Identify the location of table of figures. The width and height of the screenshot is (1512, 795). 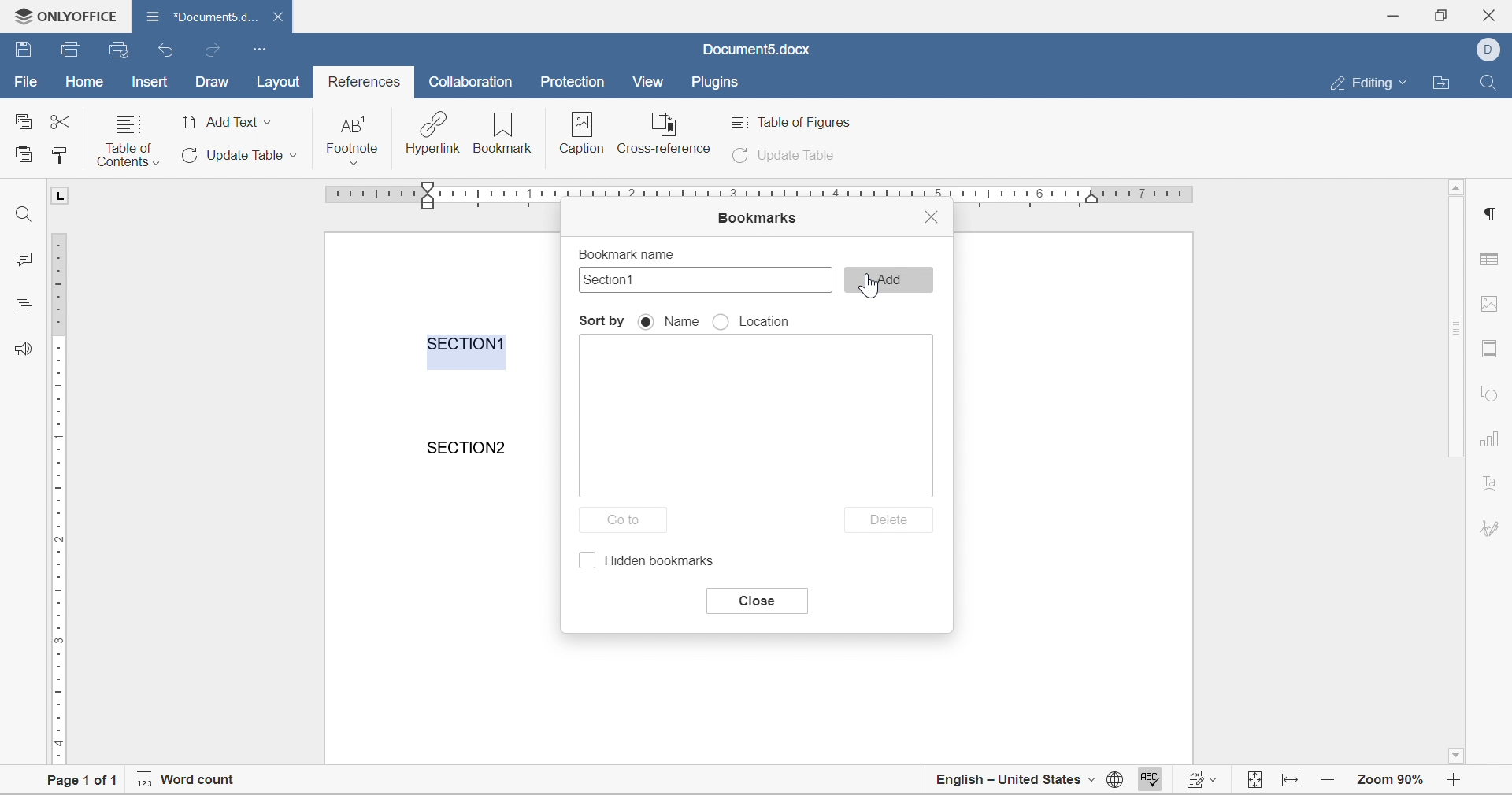
(796, 122).